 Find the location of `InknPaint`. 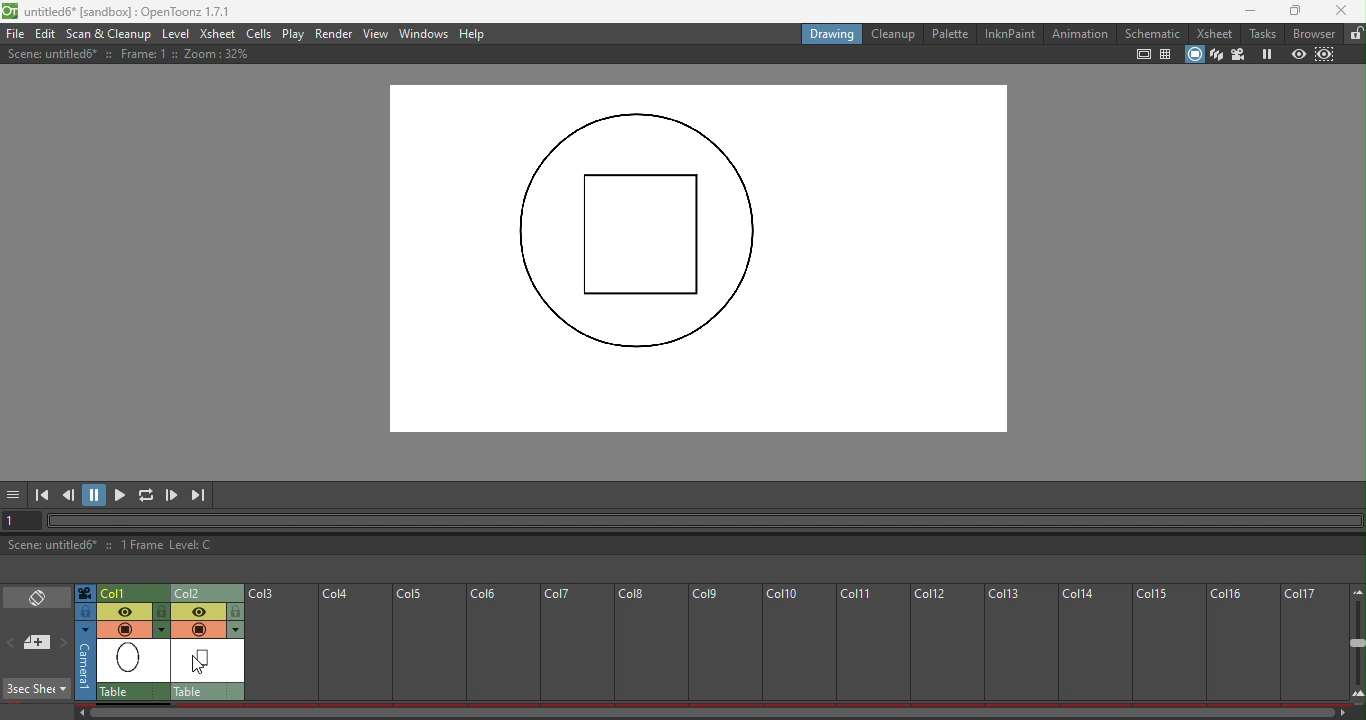

InknPaint is located at coordinates (1010, 35).